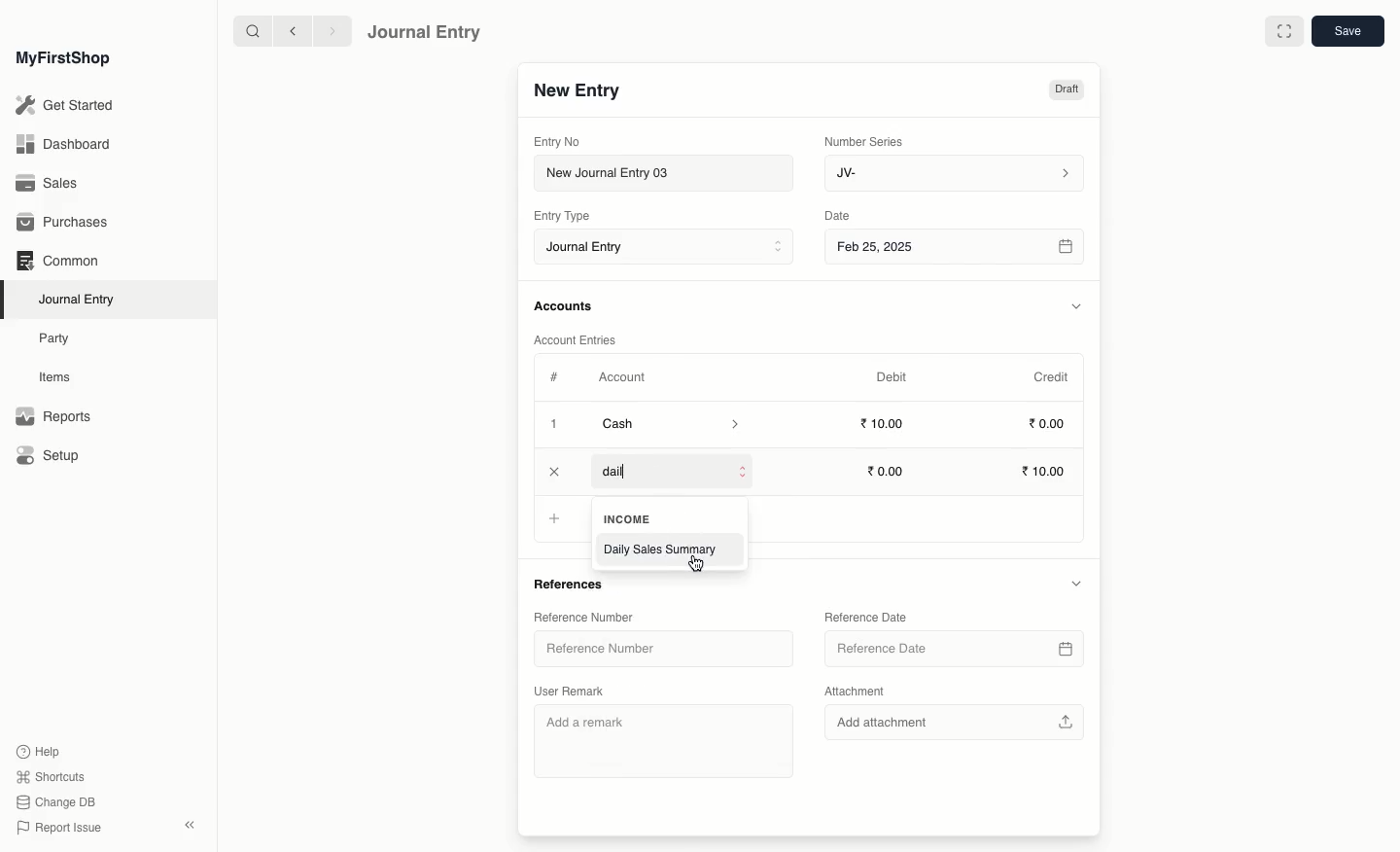  Describe the element at coordinates (952, 173) in the screenshot. I see `JV-` at that location.